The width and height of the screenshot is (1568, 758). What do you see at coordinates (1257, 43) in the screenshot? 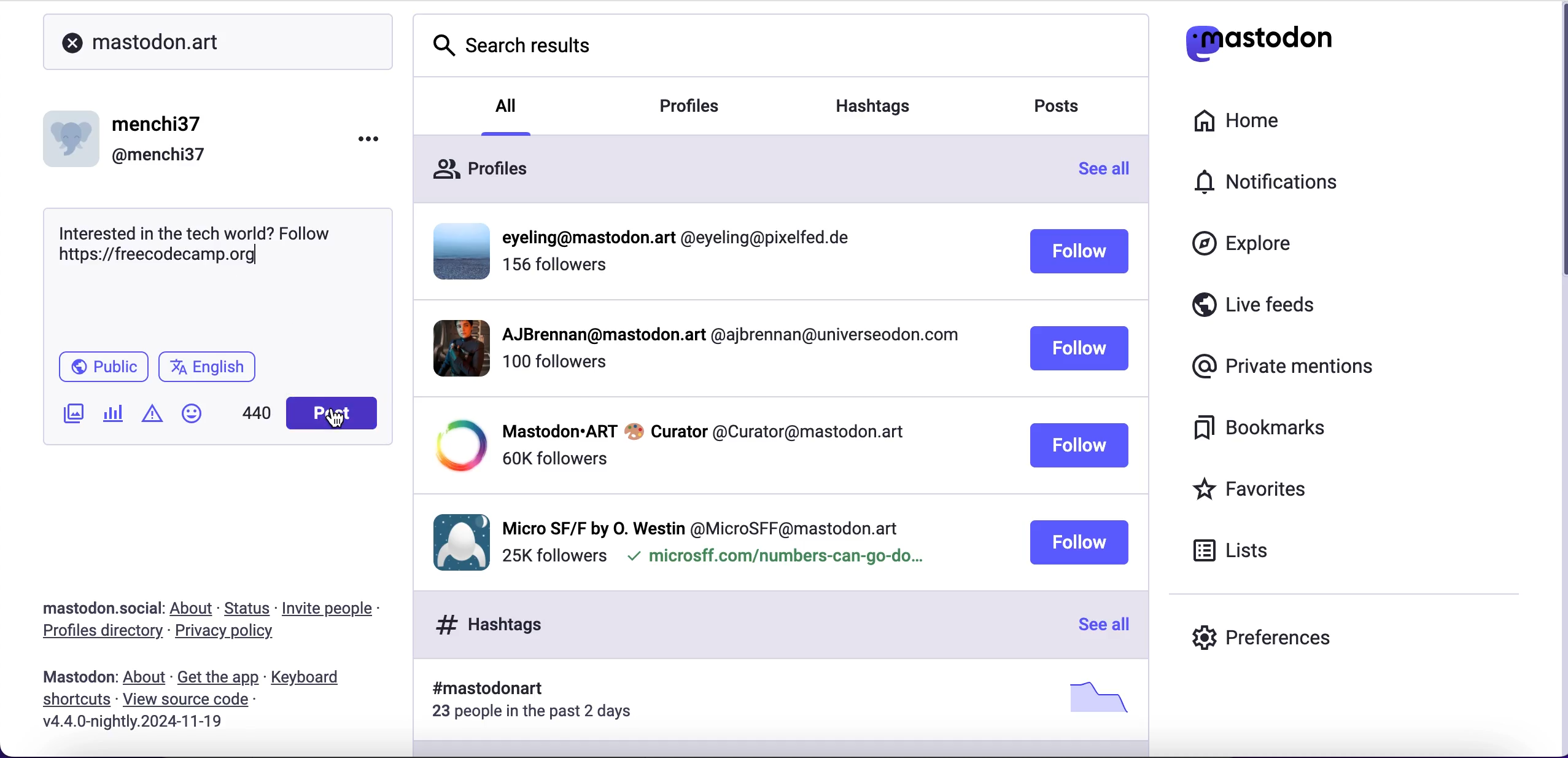
I see `mastodon logo` at bounding box center [1257, 43].